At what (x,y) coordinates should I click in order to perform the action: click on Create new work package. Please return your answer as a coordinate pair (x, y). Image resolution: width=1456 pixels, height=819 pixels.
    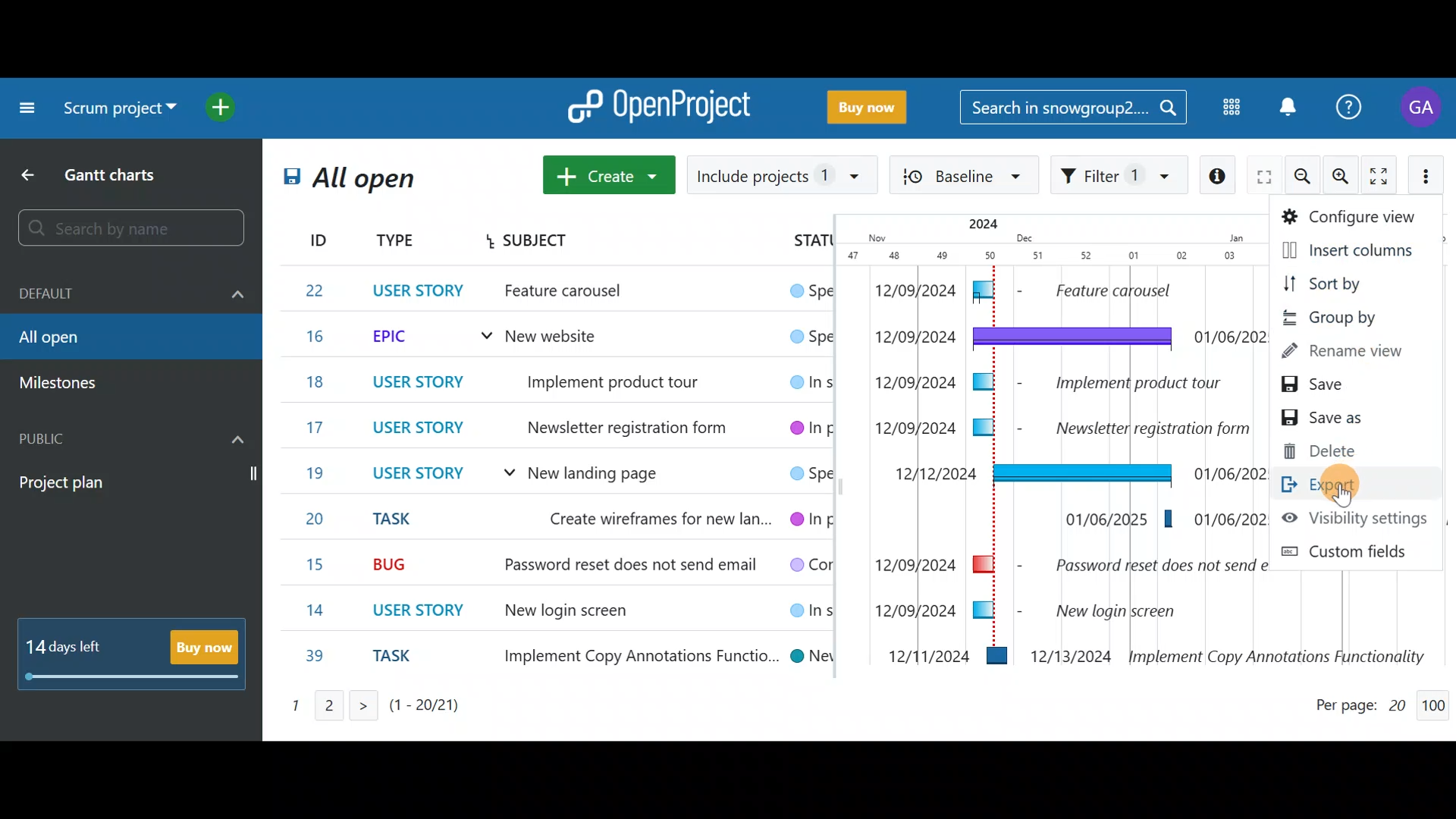
    Looking at the image, I should click on (610, 173).